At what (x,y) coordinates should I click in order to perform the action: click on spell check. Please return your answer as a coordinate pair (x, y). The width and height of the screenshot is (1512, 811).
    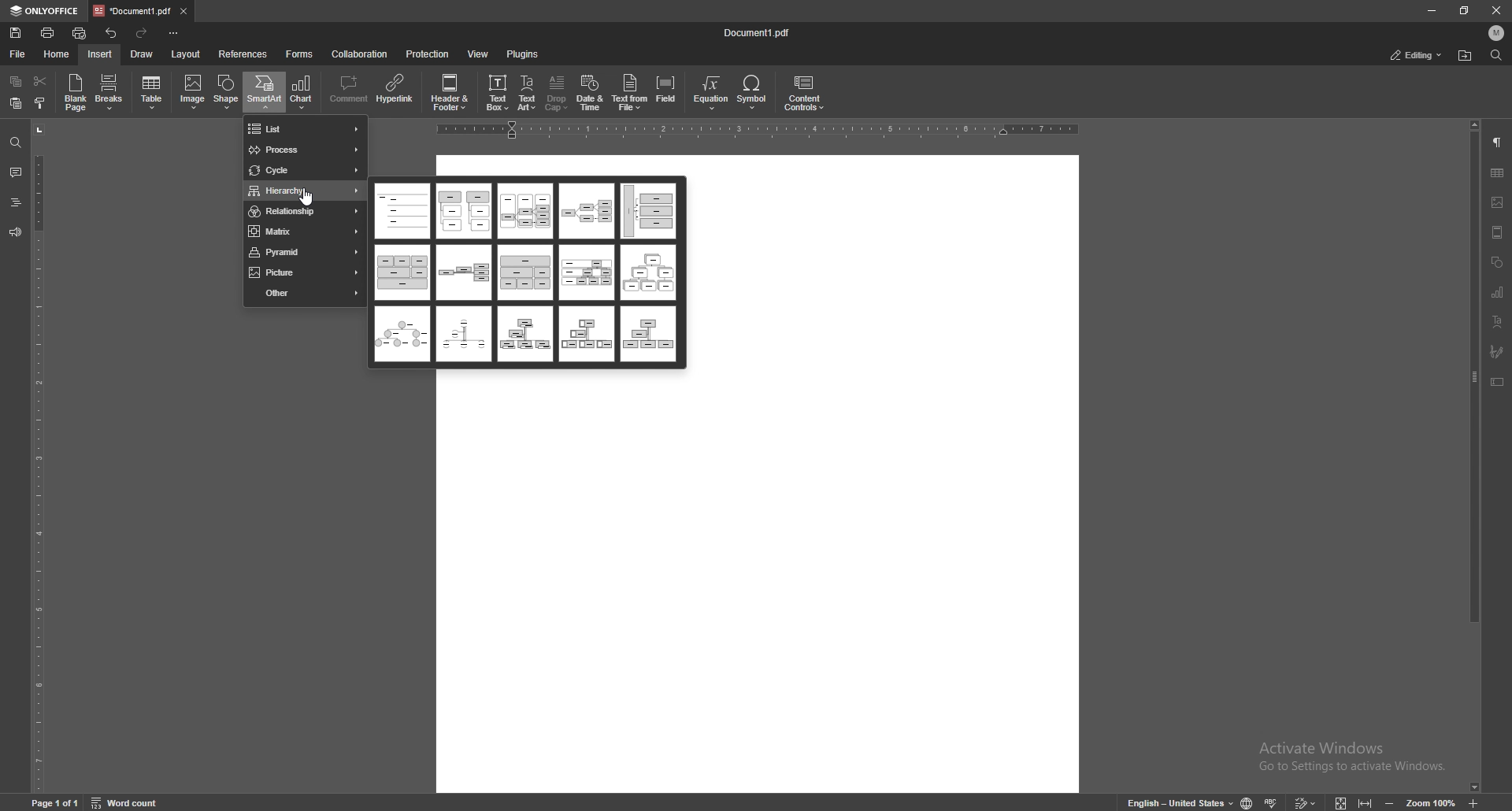
    Looking at the image, I should click on (1272, 802).